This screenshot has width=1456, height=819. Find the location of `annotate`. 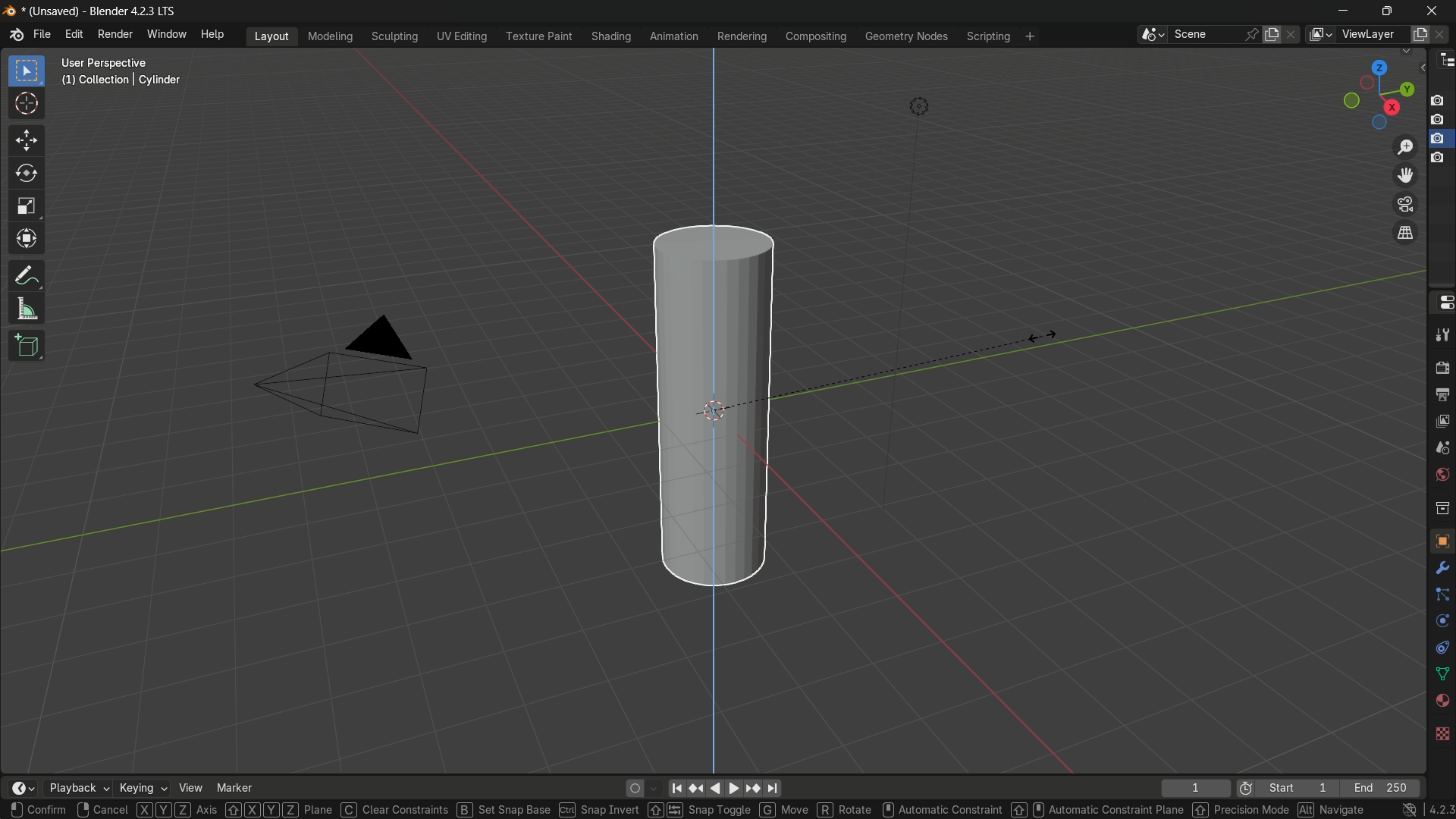

annotate is located at coordinates (26, 277).